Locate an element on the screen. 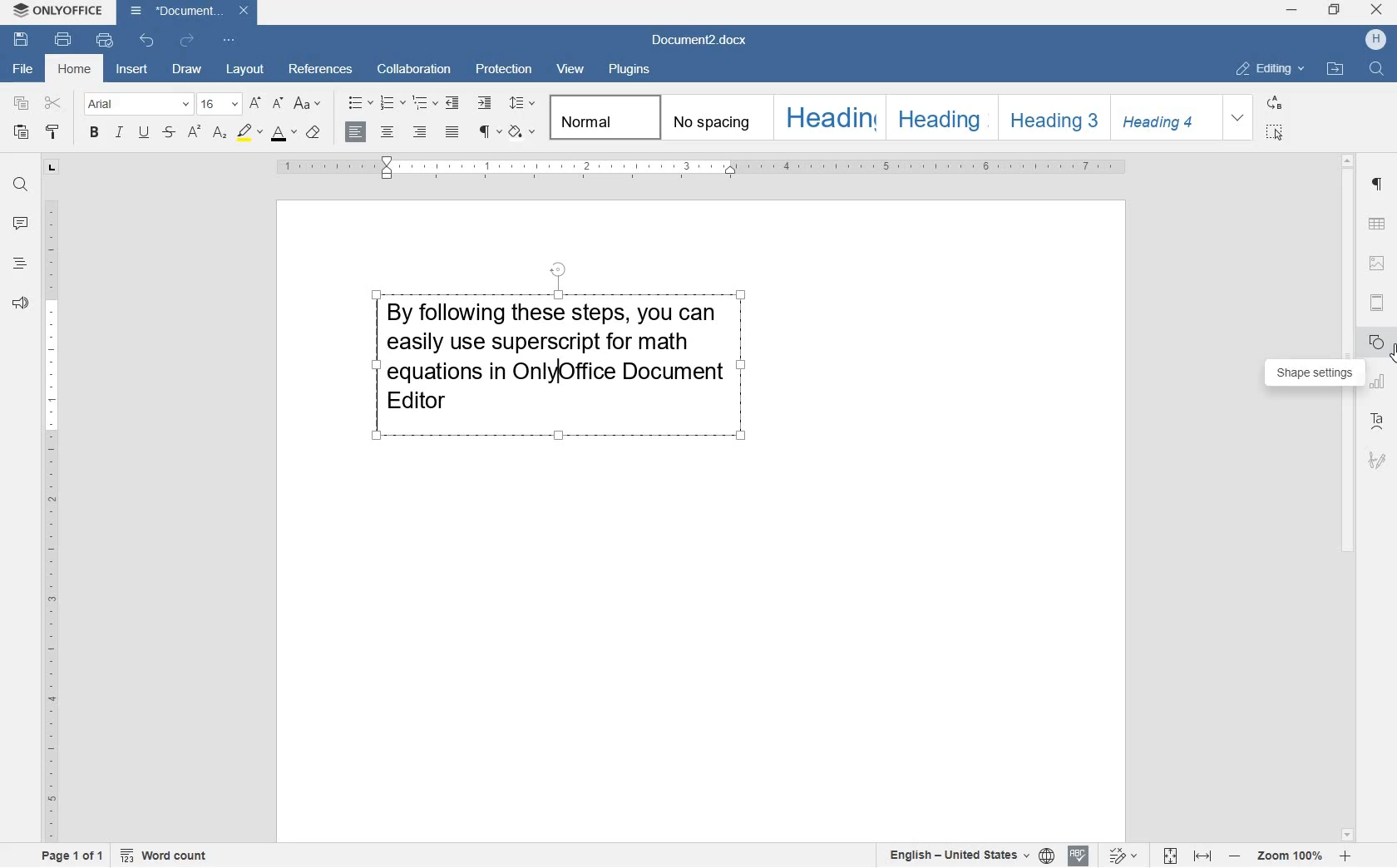 The width and height of the screenshot is (1397, 868). file is located at coordinates (21, 70).